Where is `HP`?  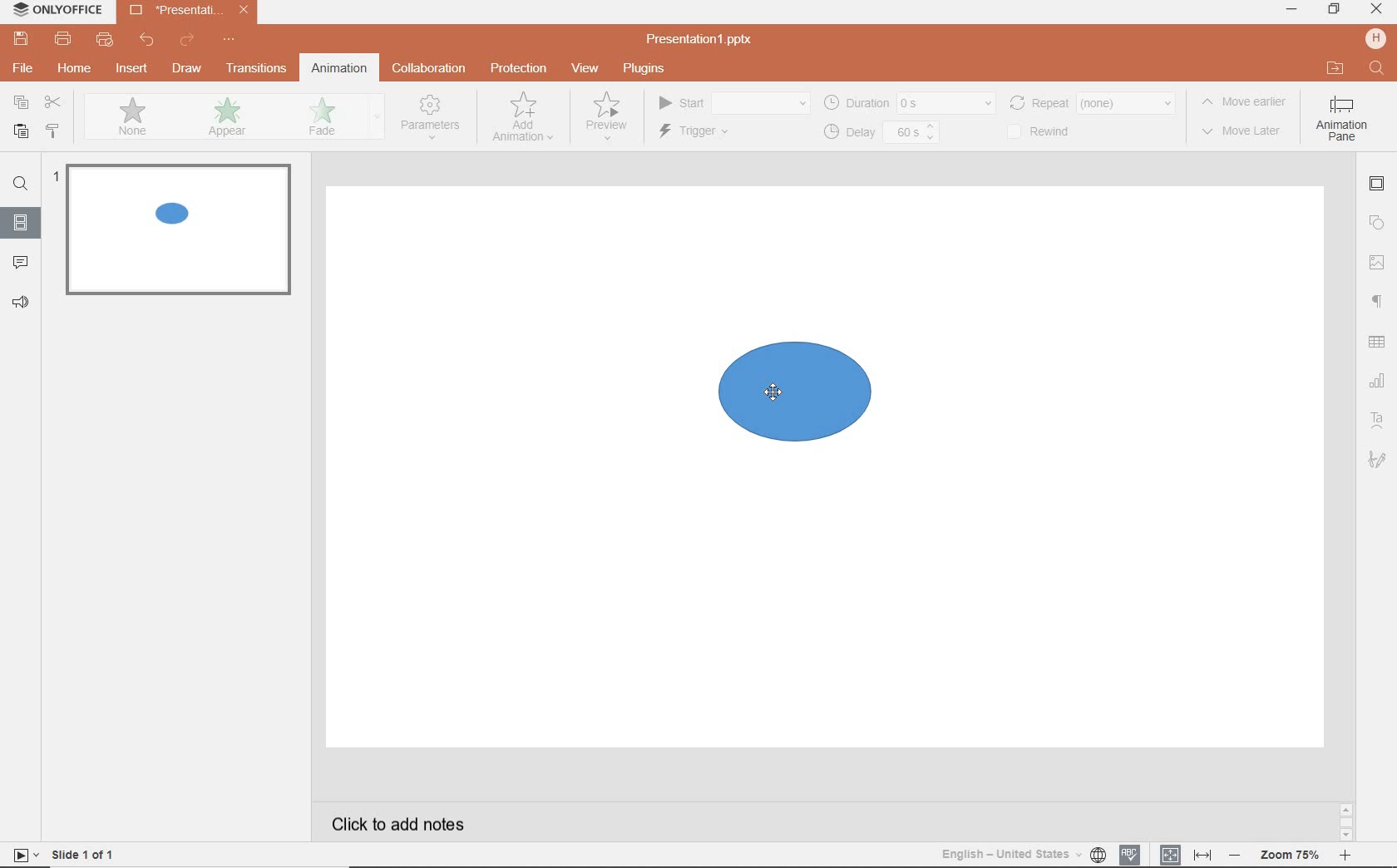 HP is located at coordinates (1375, 40).